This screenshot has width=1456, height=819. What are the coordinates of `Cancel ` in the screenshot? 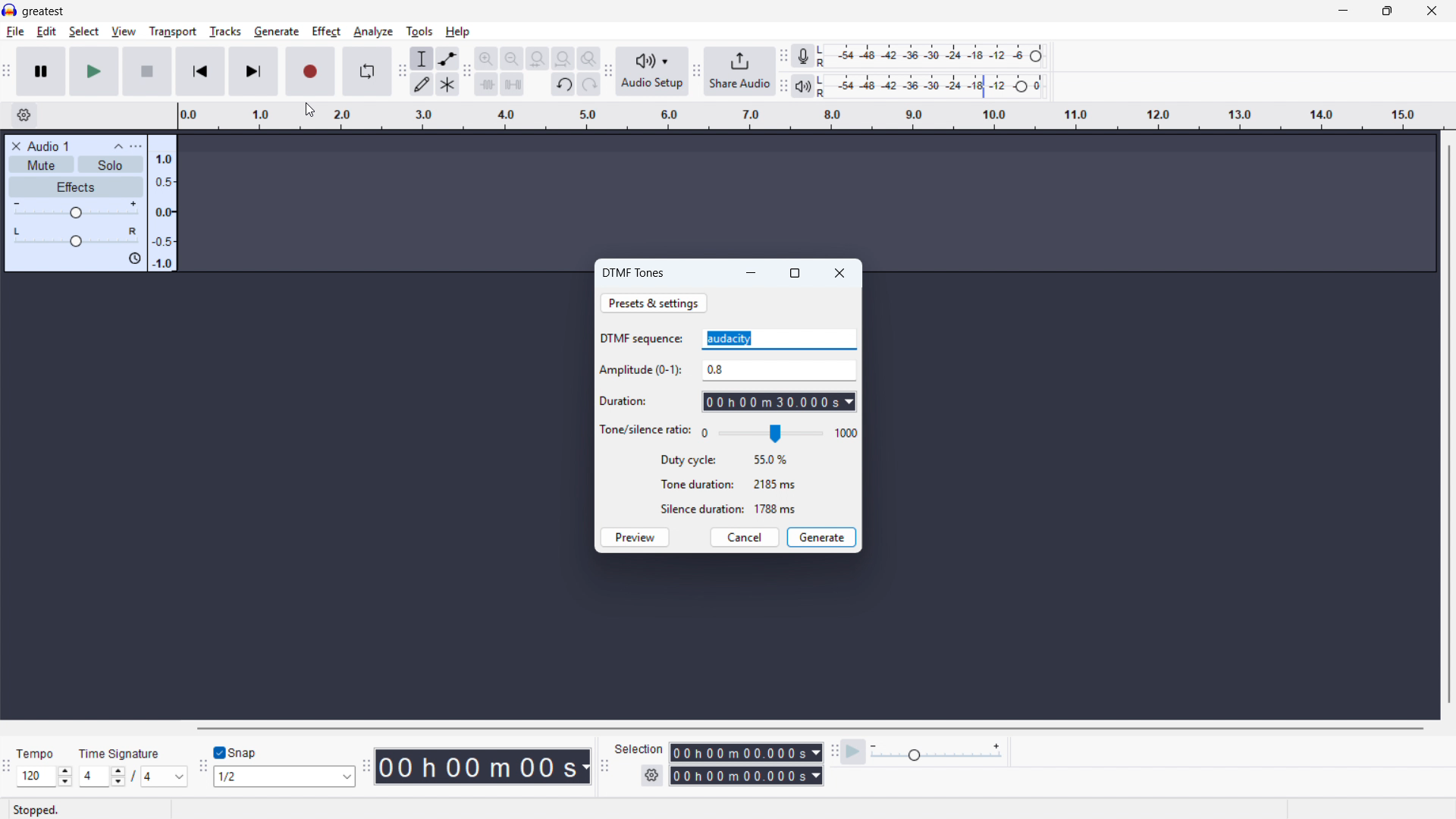 It's located at (745, 537).